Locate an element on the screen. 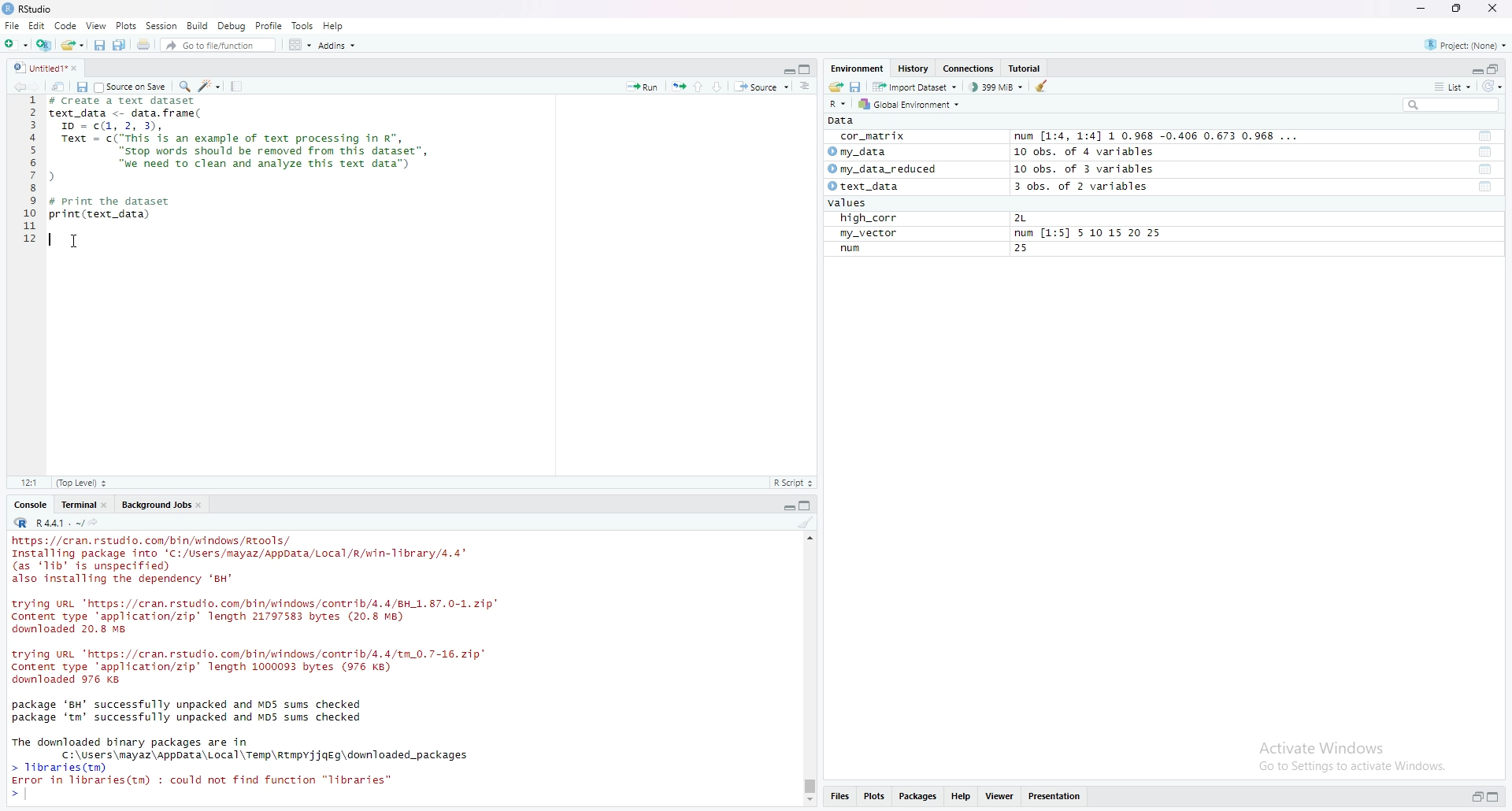  viewer is located at coordinates (999, 795).